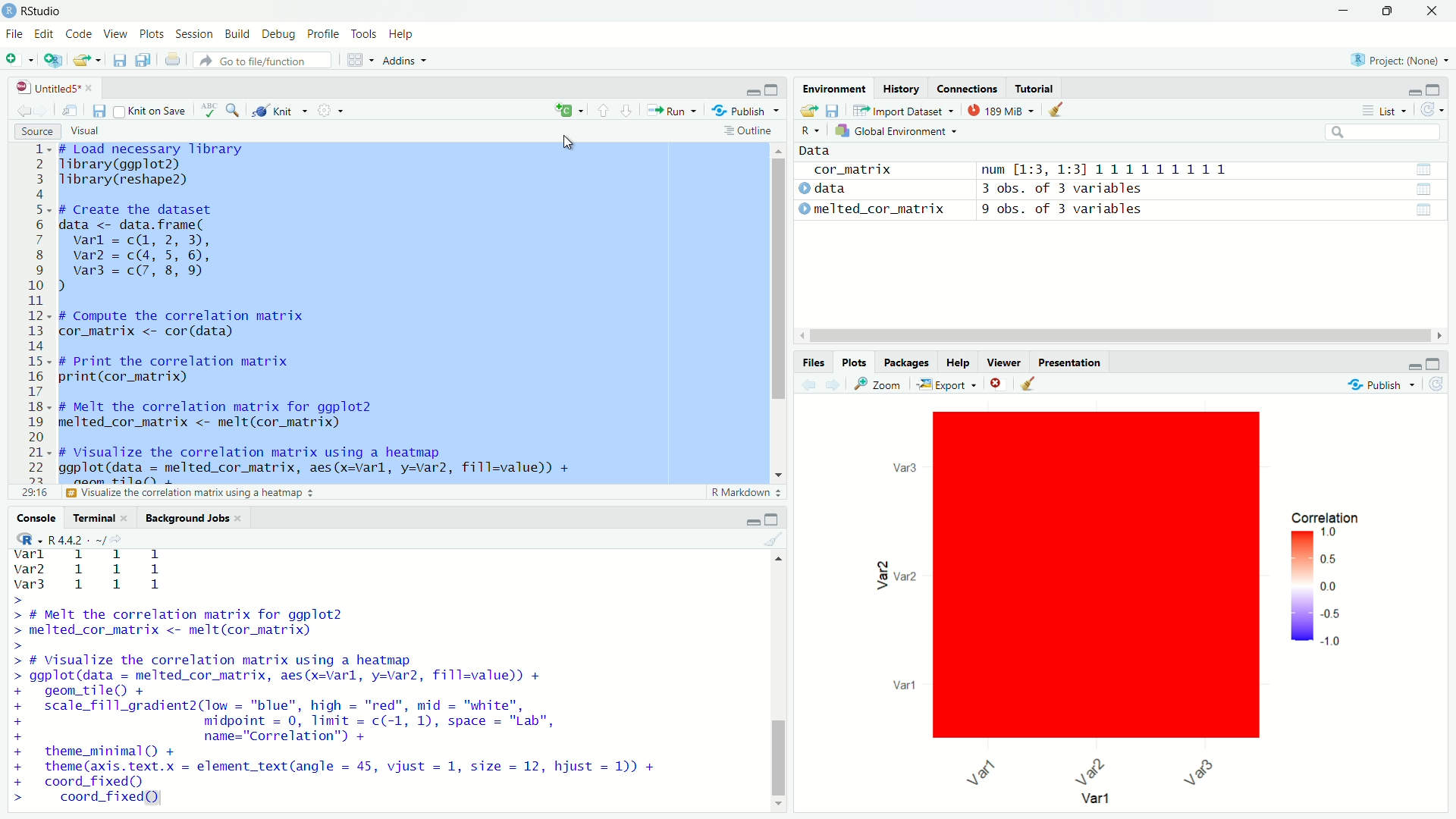  I want to click on close, so click(1433, 11).